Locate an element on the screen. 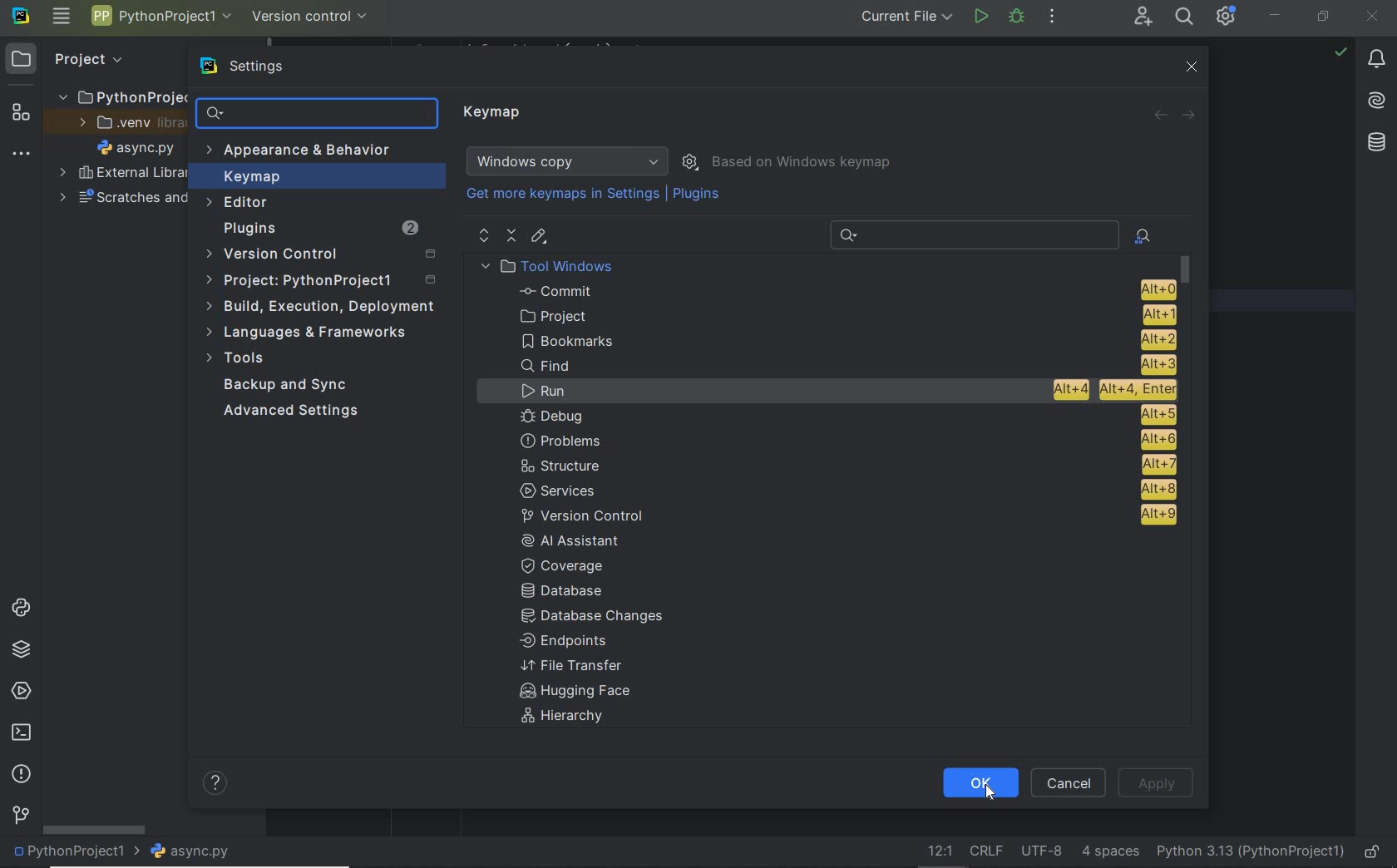  Windows is located at coordinates (567, 161).